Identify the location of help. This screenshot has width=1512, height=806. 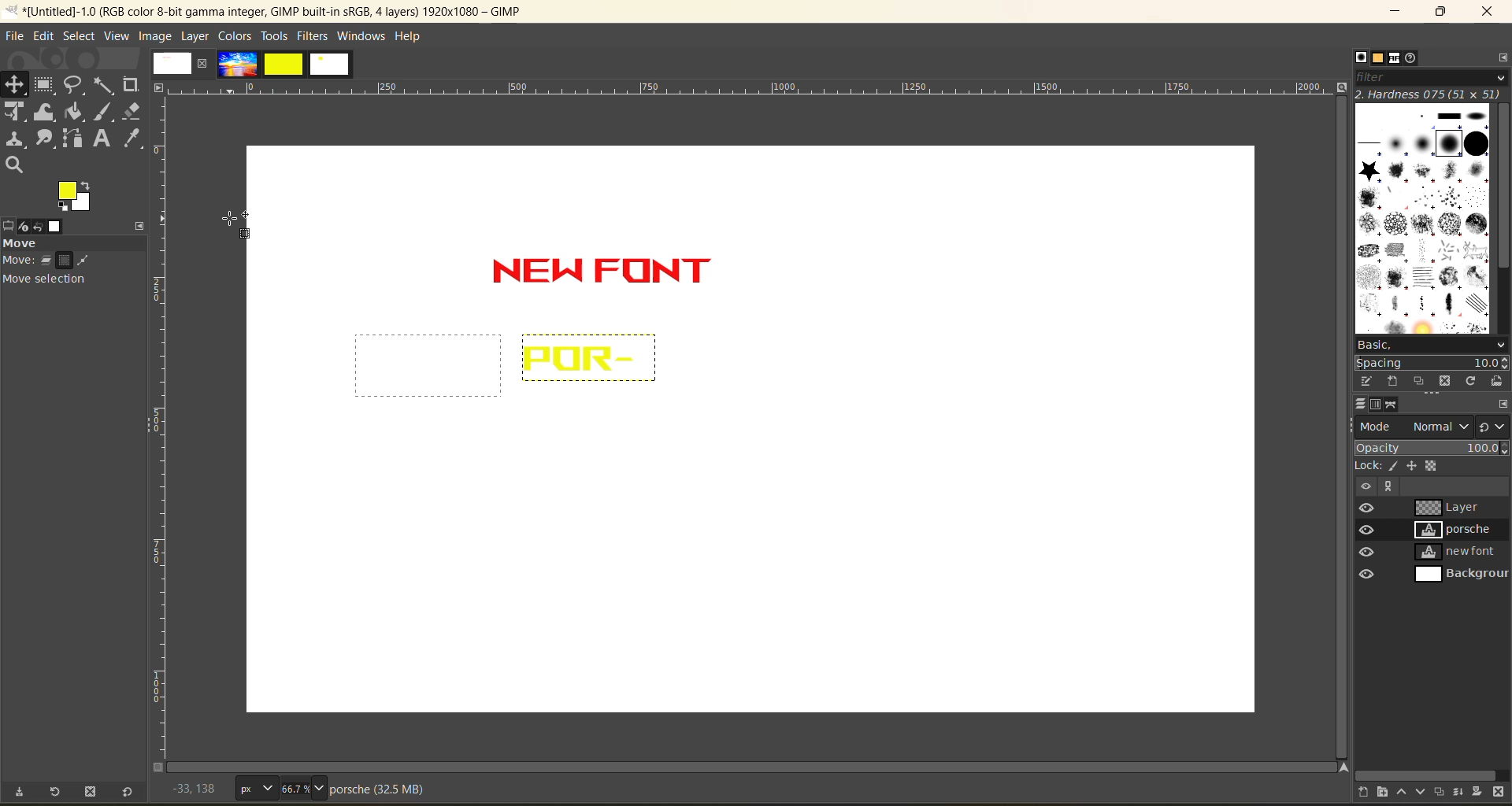
(406, 38).